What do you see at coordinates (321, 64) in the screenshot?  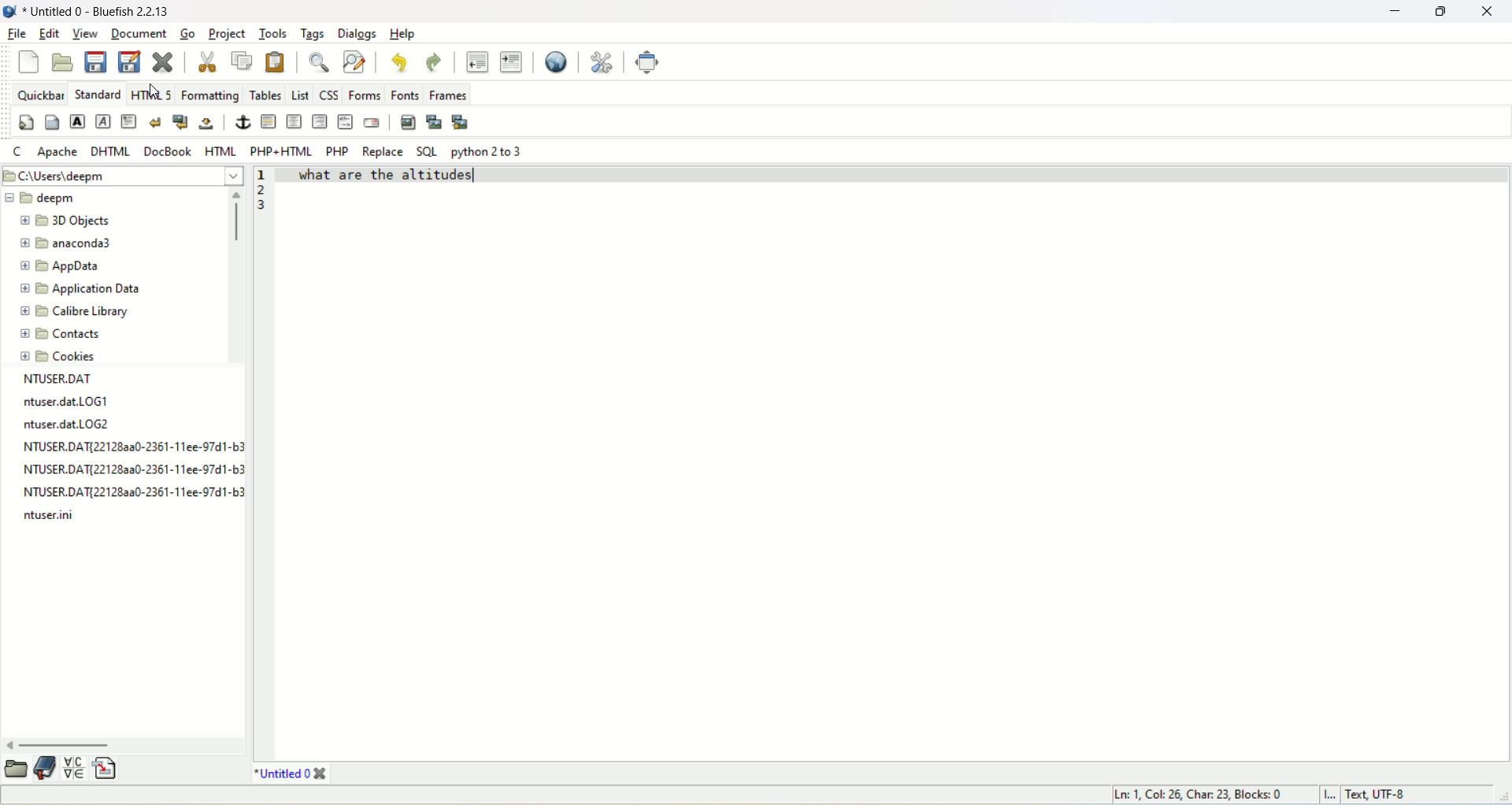 I see `show find bar` at bounding box center [321, 64].